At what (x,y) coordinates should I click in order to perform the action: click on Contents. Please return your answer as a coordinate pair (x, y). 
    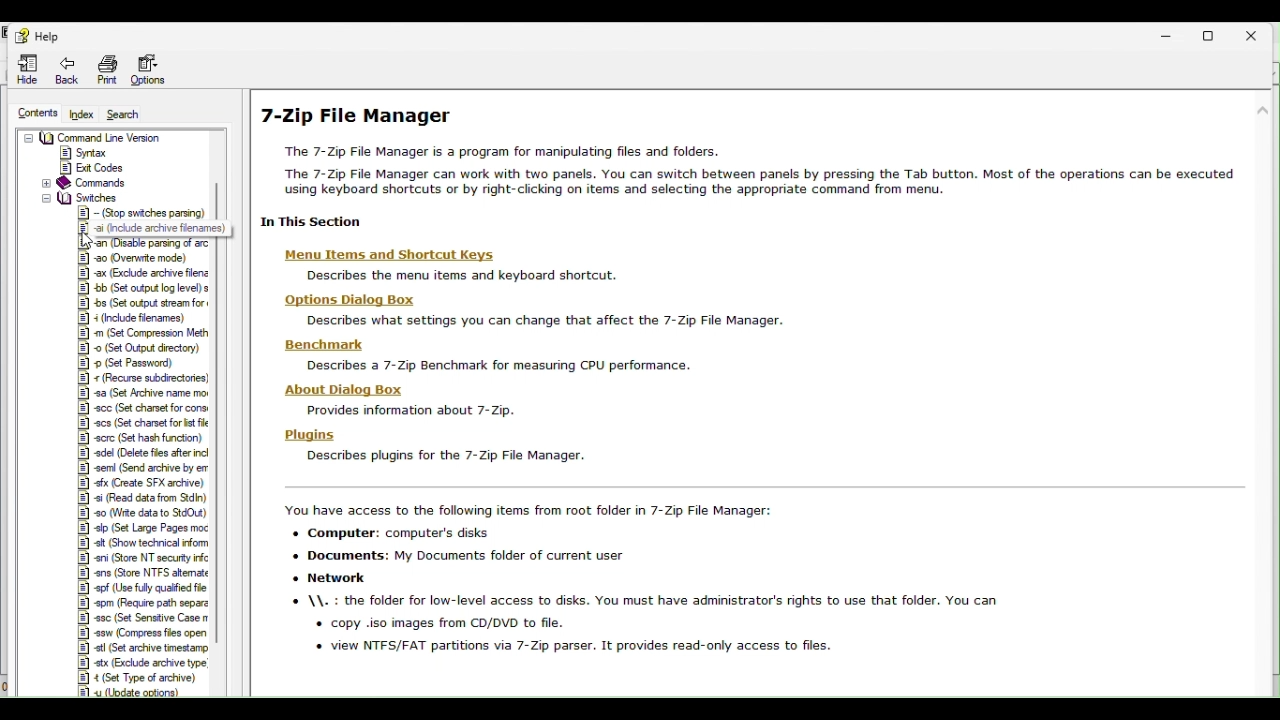
    Looking at the image, I should click on (35, 113).